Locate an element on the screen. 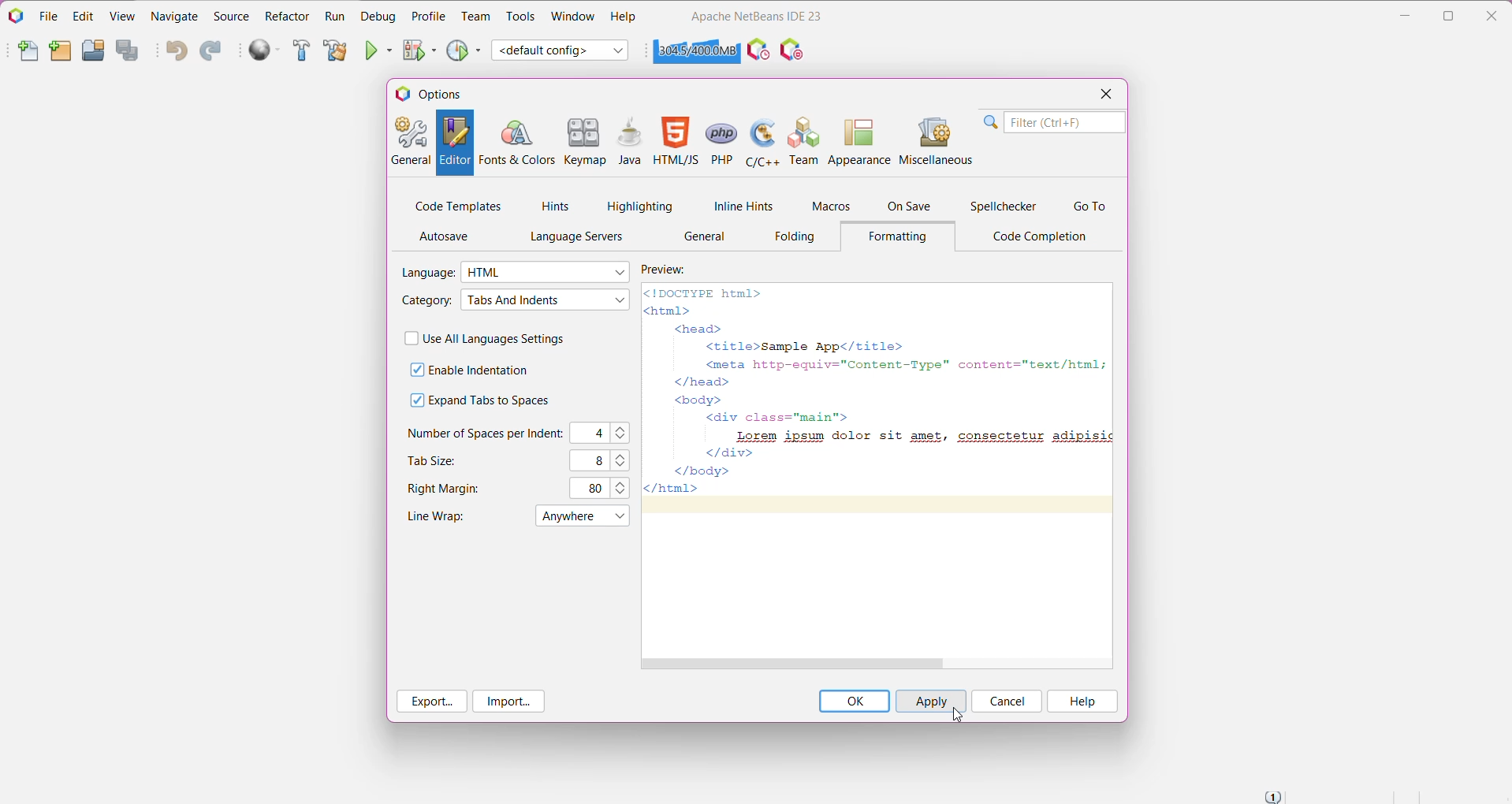 This screenshot has height=804, width=1512. Set the right margins is located at coordinates (623, 487).